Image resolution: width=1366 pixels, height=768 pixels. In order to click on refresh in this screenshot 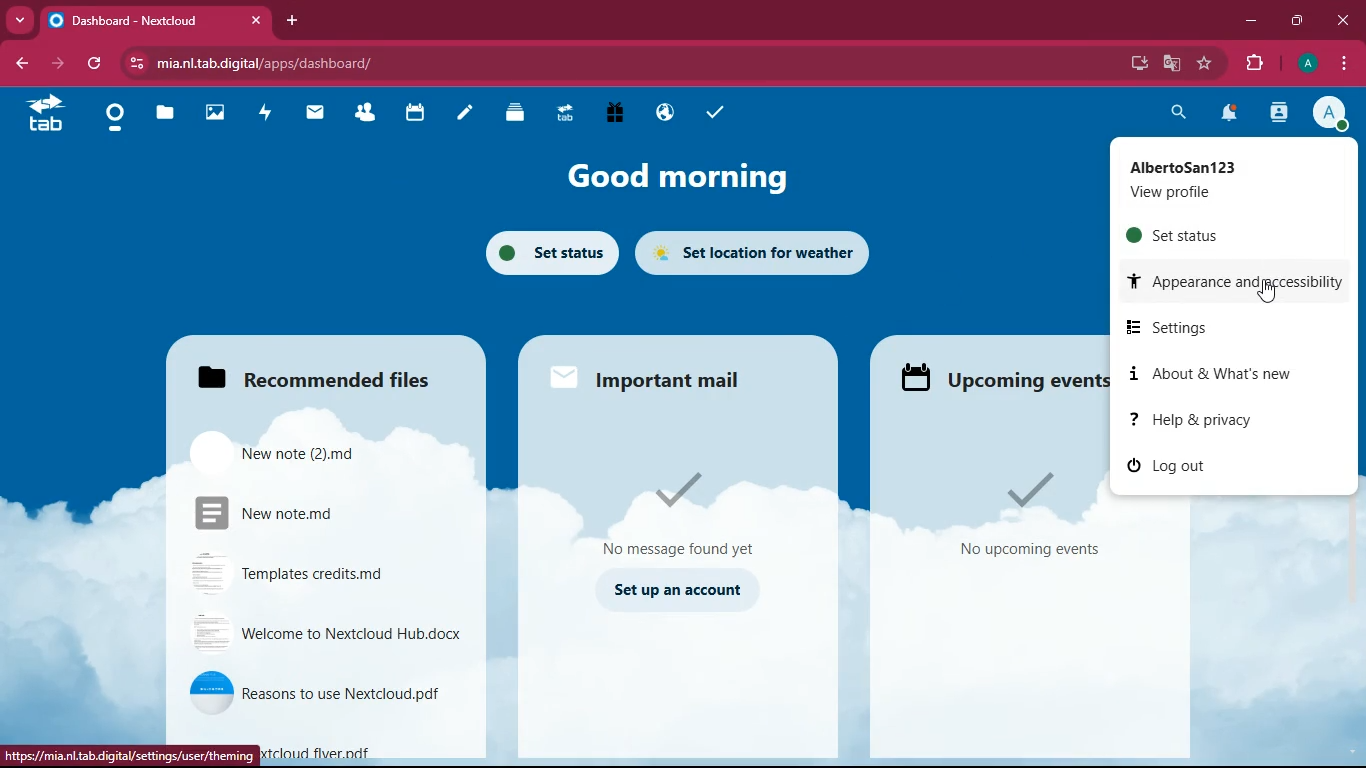, I will do `click(91, 65)`.